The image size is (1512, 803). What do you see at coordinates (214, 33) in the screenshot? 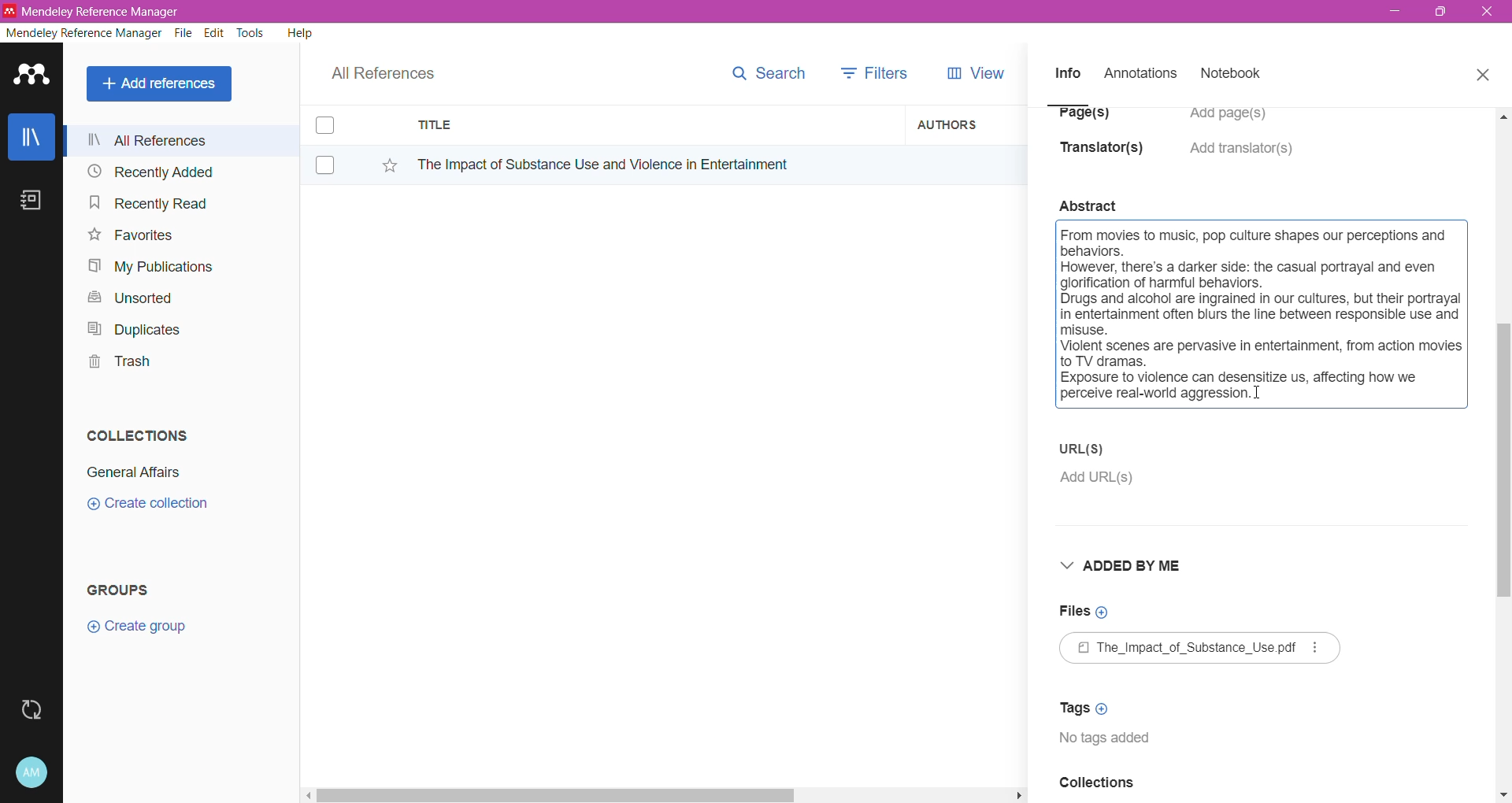
I see `Edit` at bounding box center [214, 33].